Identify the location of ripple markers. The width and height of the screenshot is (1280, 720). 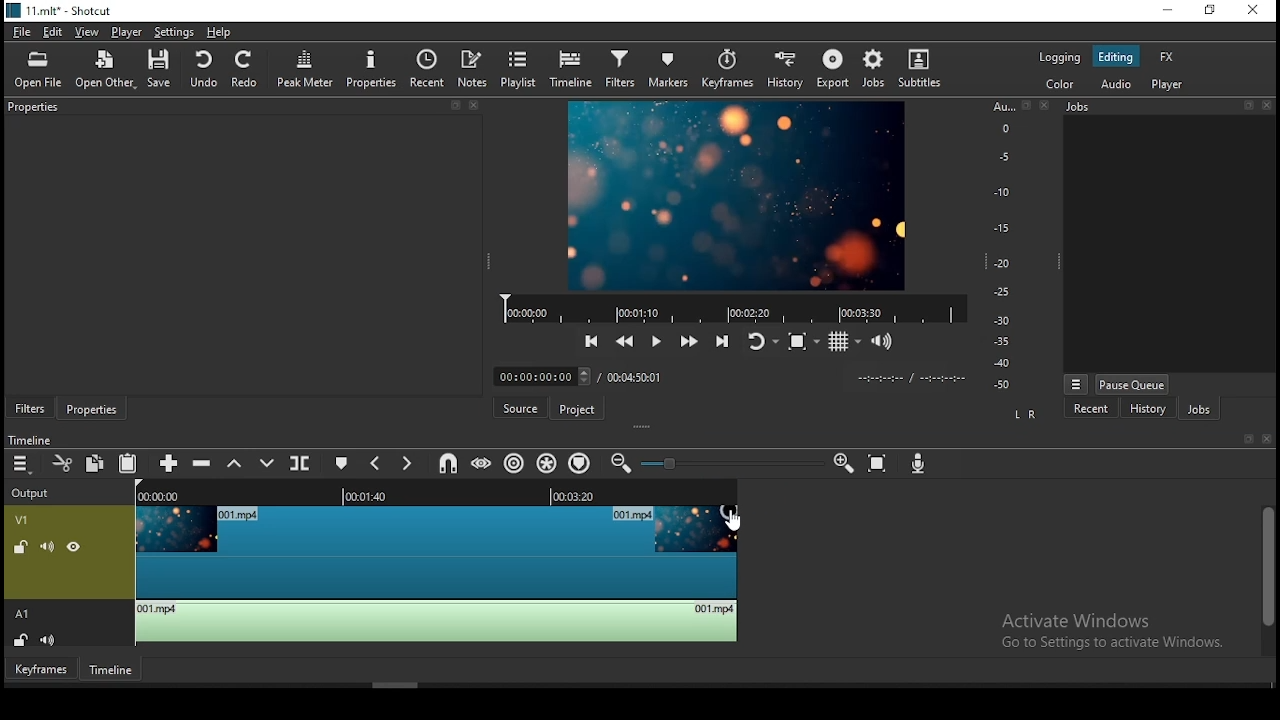
(579, 464).